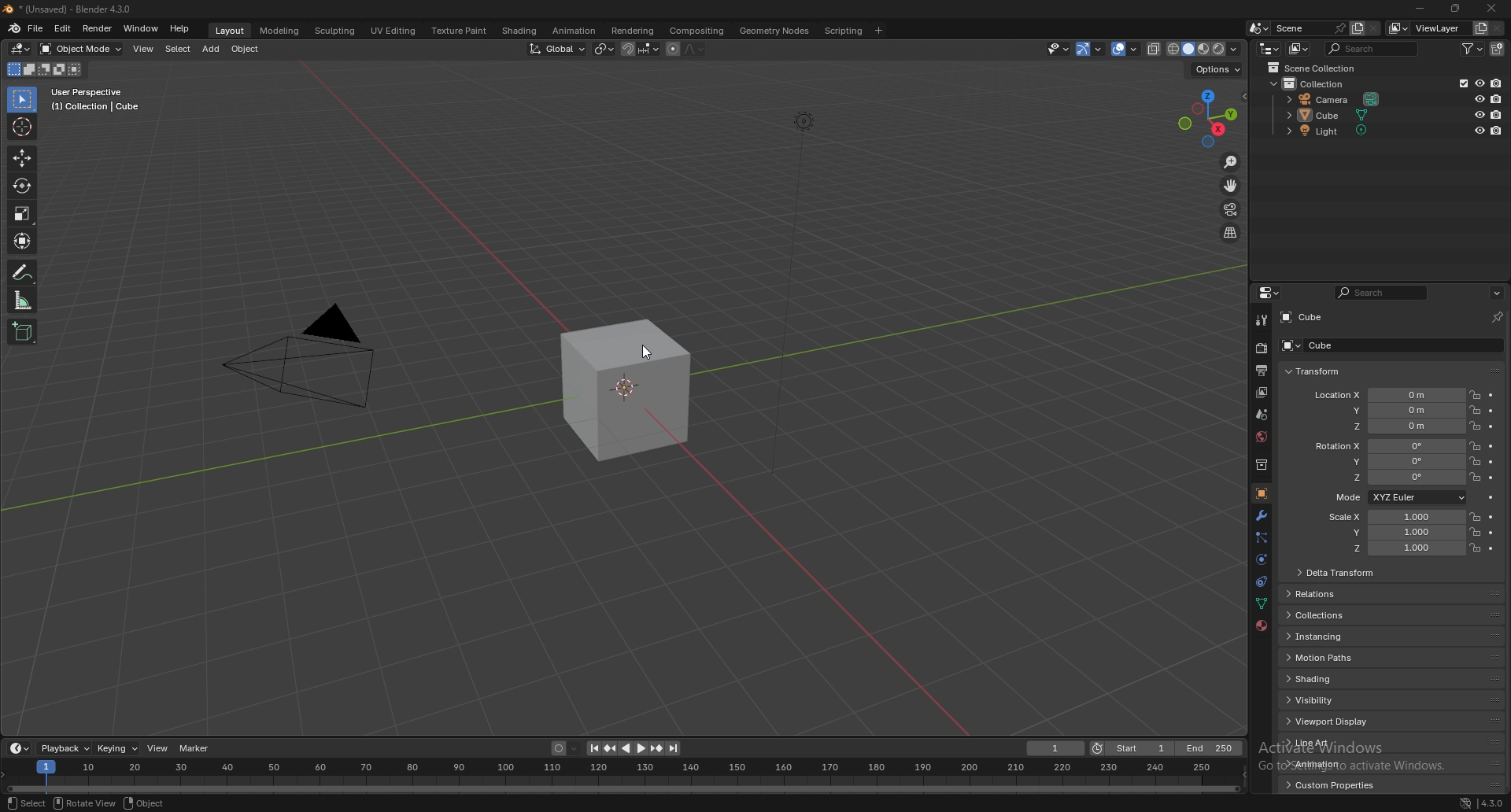 The height and width of the screenshot is (812, 1511). I want to click on window, so click(142, 28).